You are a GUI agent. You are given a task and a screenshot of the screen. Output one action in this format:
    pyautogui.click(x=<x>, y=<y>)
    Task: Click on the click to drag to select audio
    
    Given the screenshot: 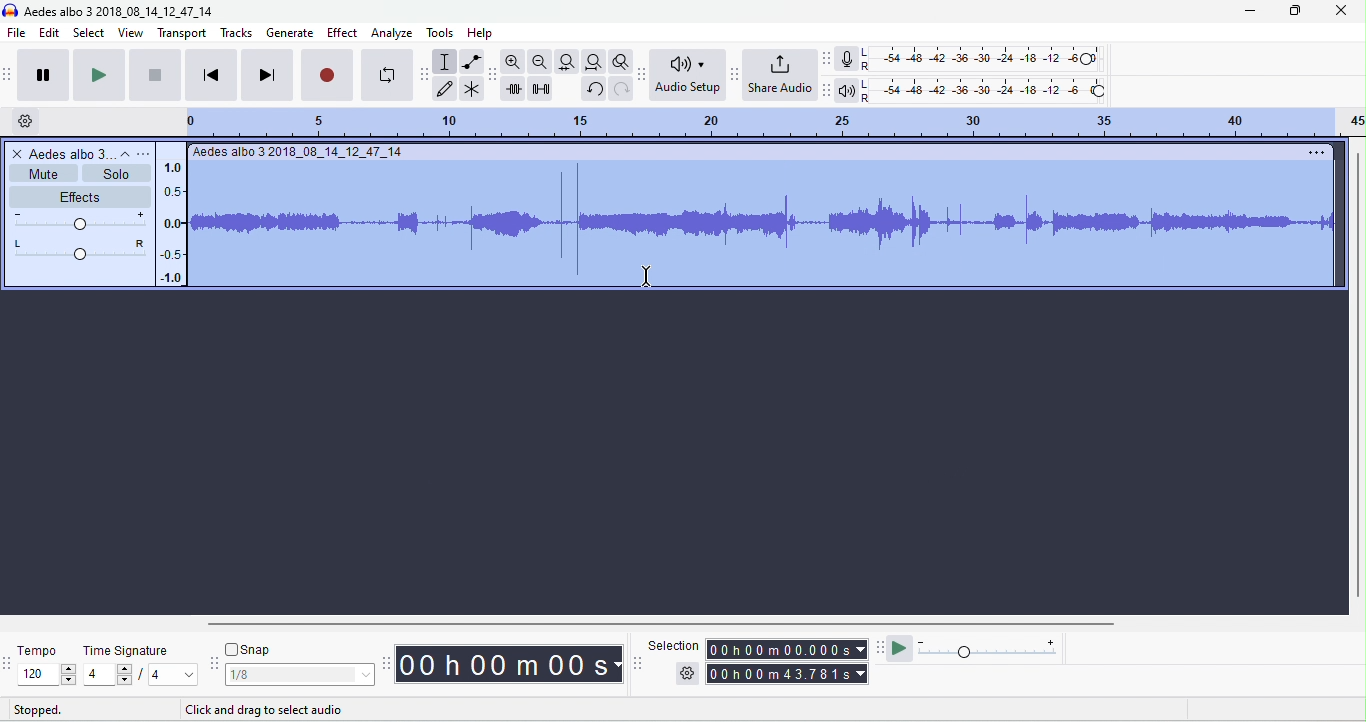 What is the action you would take?
    pyautogui.click(x=268, y=710)
    